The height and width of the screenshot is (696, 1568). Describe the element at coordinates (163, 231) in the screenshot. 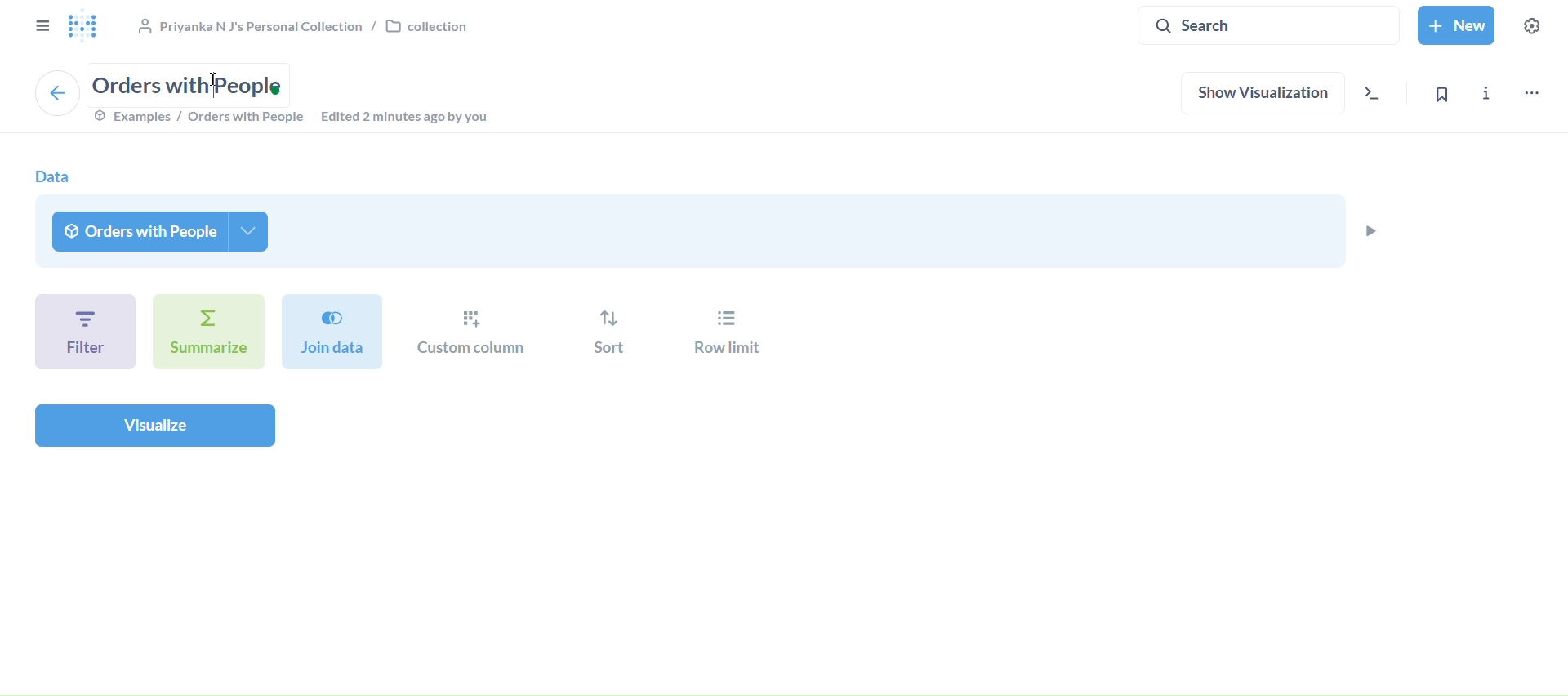

I see `orders with people` at that location.